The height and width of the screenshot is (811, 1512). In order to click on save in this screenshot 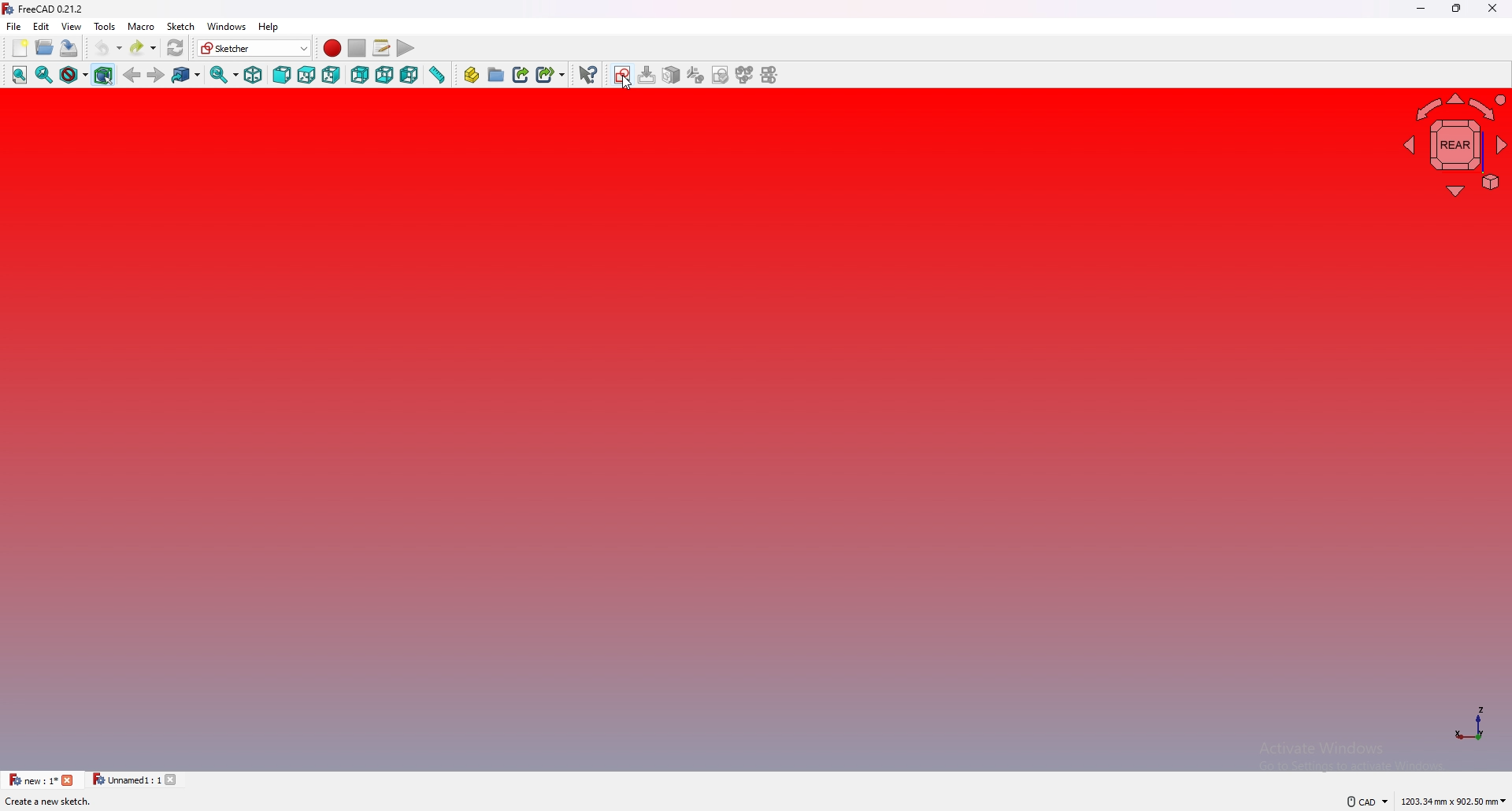, I will do `click(68, 47)`.